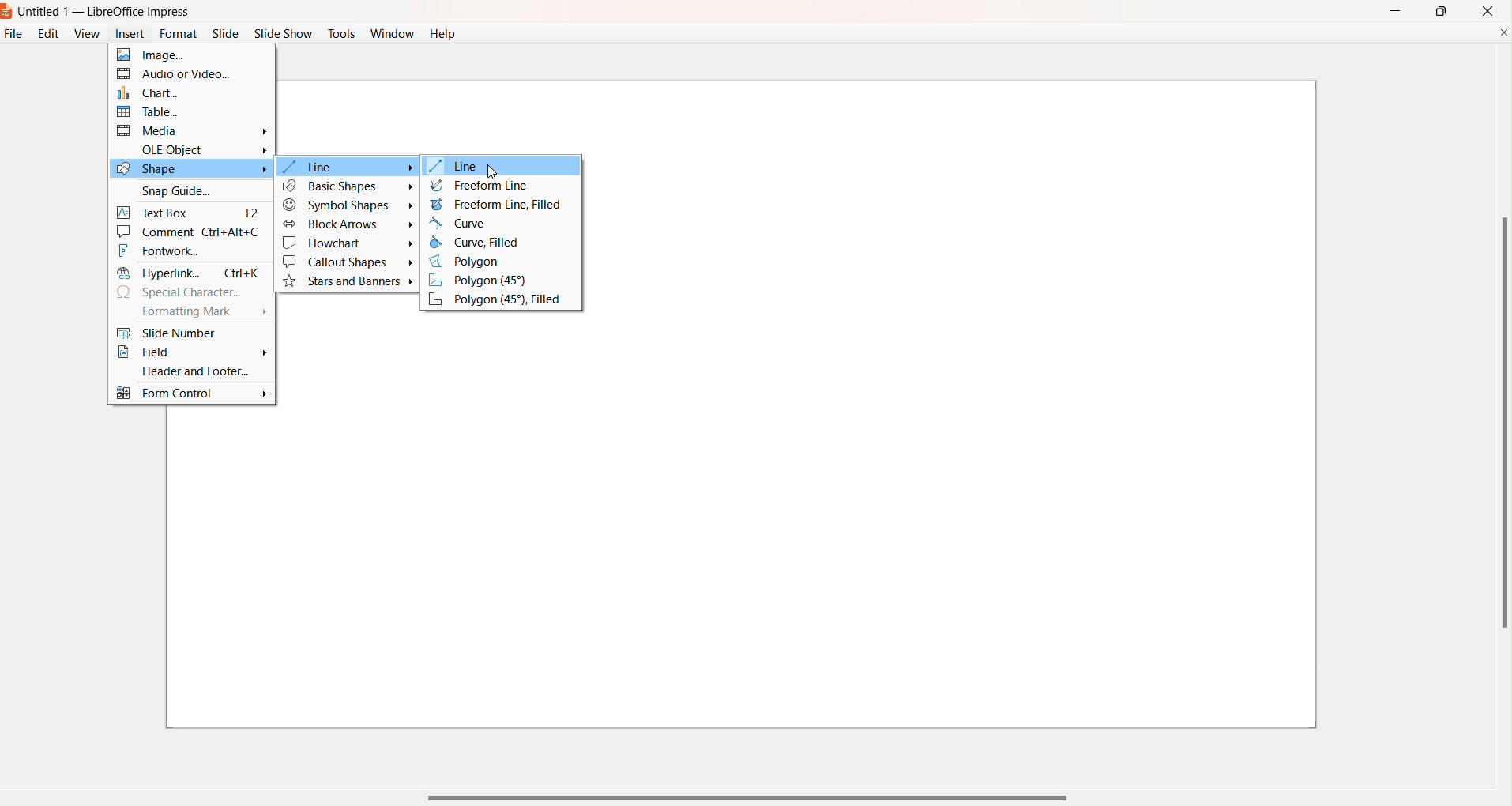  I want to click on Help, so click(444, 34).